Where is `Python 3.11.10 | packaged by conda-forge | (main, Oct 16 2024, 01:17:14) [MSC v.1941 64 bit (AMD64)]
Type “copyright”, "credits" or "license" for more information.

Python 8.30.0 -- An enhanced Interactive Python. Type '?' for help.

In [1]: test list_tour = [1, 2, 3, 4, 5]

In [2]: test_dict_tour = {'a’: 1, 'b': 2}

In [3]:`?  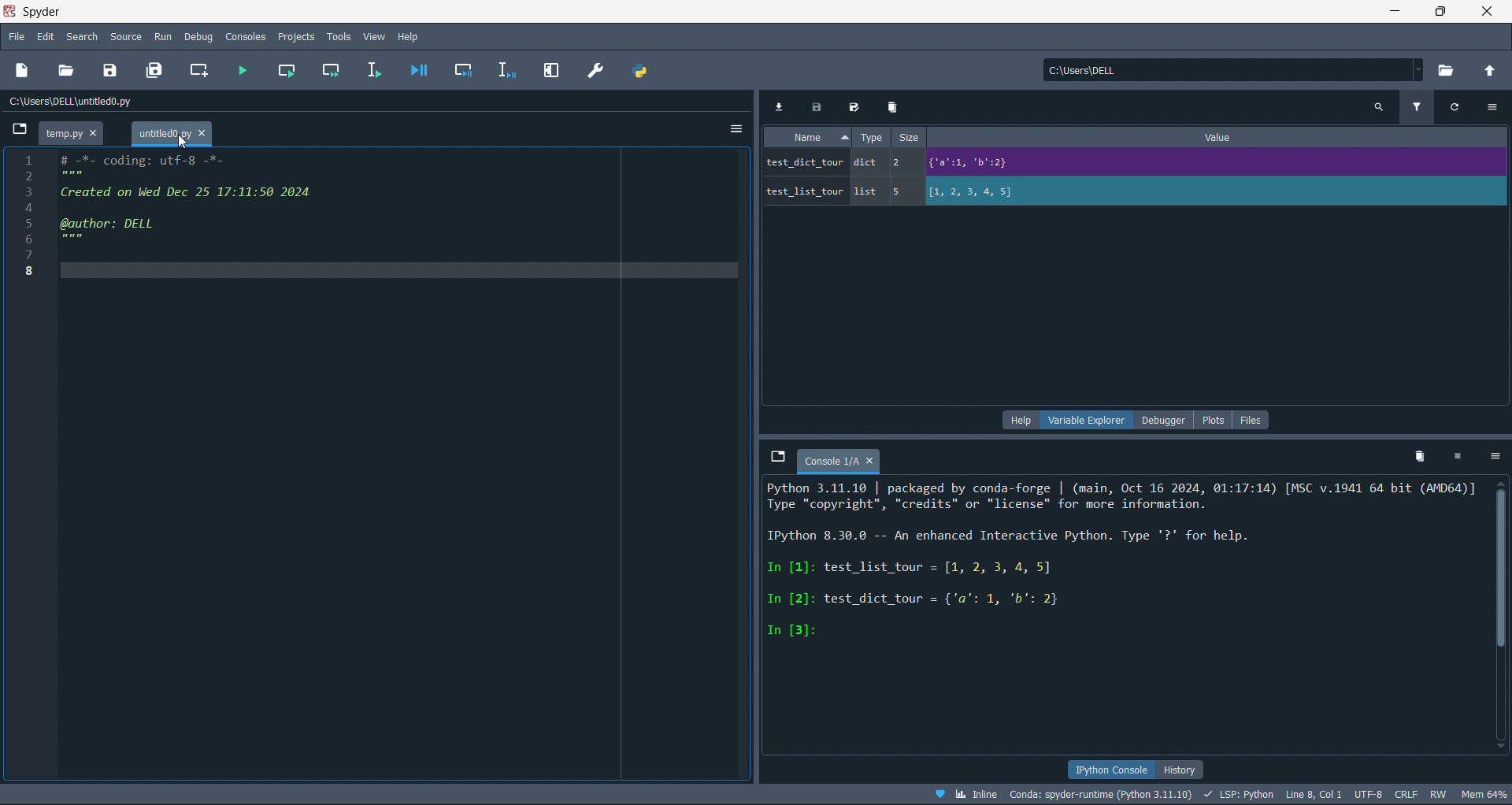
Python 3.11.10 | packaged by conda-forge | (main, Oct 16 2024, 01:17:14) [MSC v.1941 64 bit (AMD64)]
Type “copyright”, "credits" or "license" for more information.

Python 8.30.0 -- An enhanced Interactive Python. Type '?' for help.

In [1]: test list_tour = [1, 2, 3, 4, 5]

In [2]: test_dict_tour = {'a’: 1, 'b': 2}

In [3]: is located at coordinates (1120, 561).